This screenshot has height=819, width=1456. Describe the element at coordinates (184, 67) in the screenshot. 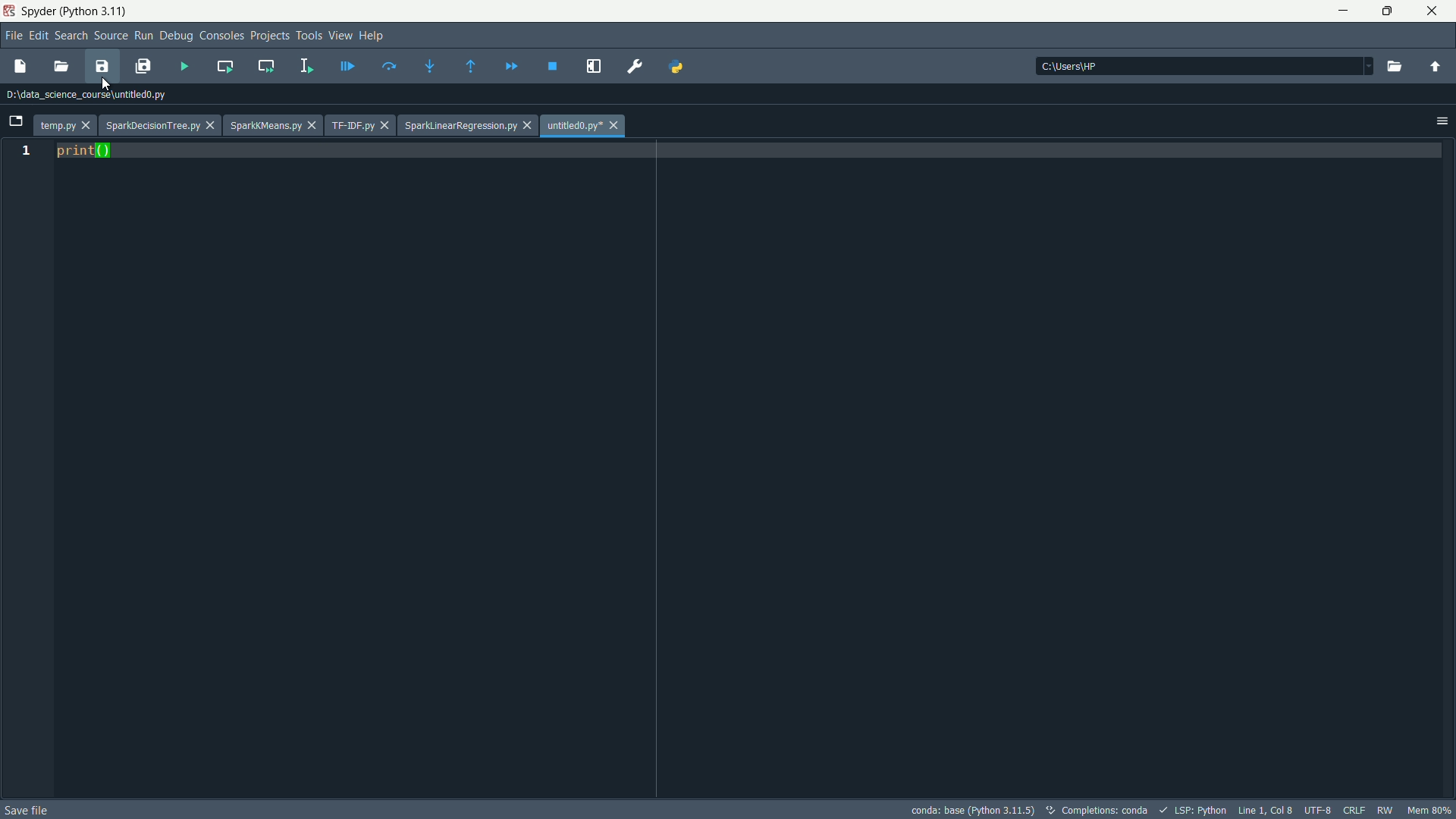

I see `run file` at that location.